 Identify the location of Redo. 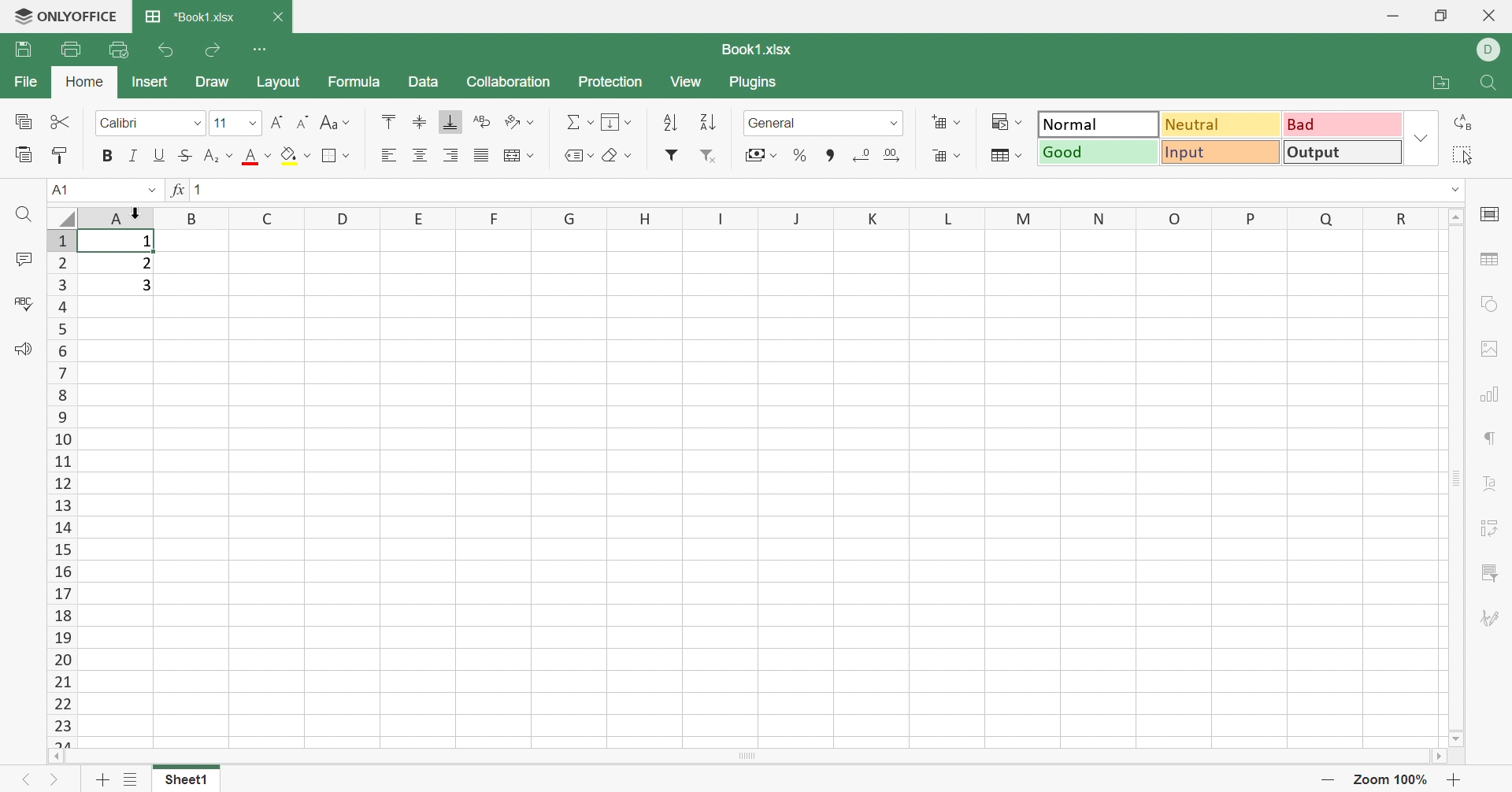
(216, 48).